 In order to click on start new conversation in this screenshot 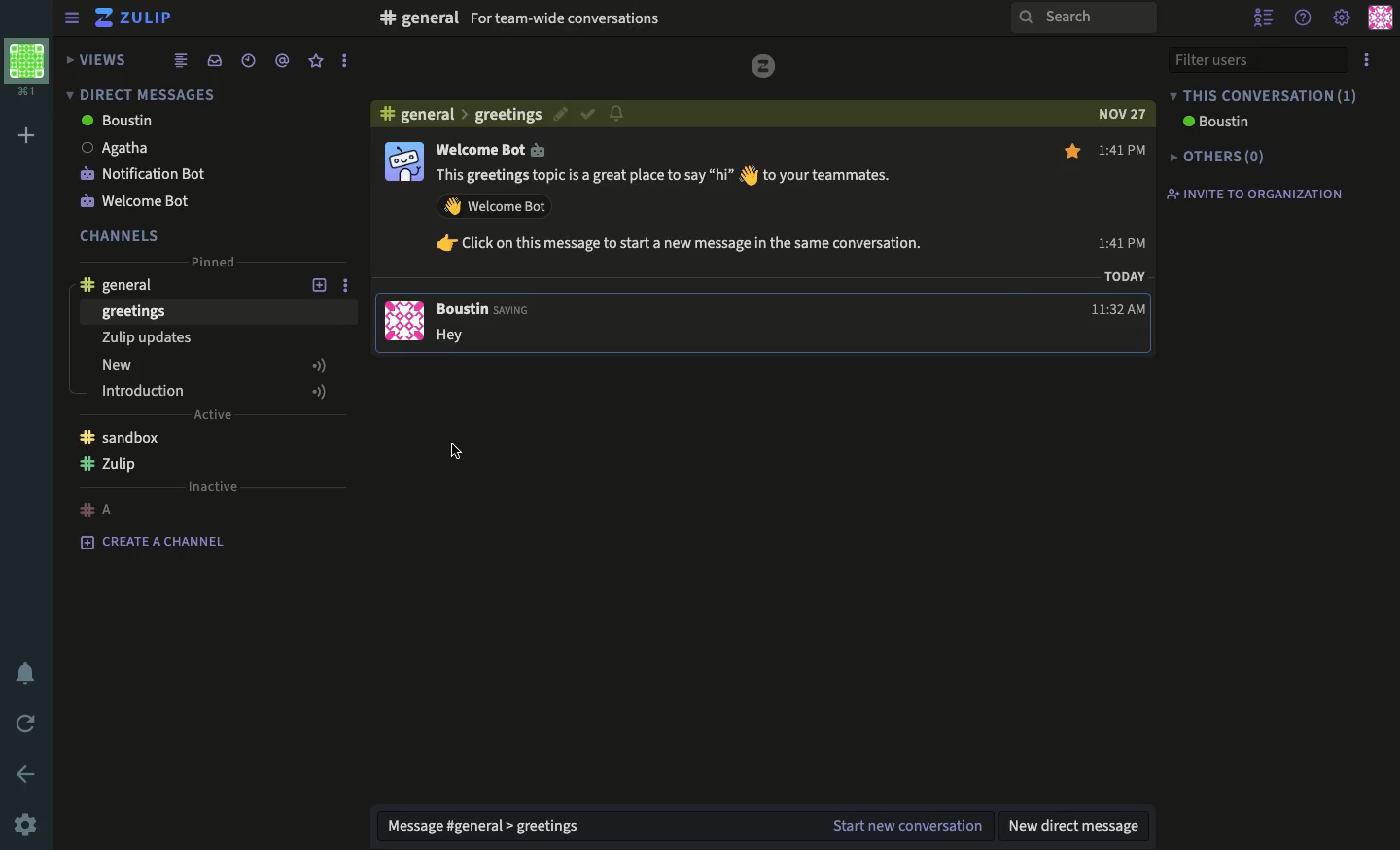, I will do `click(909, 823)`.